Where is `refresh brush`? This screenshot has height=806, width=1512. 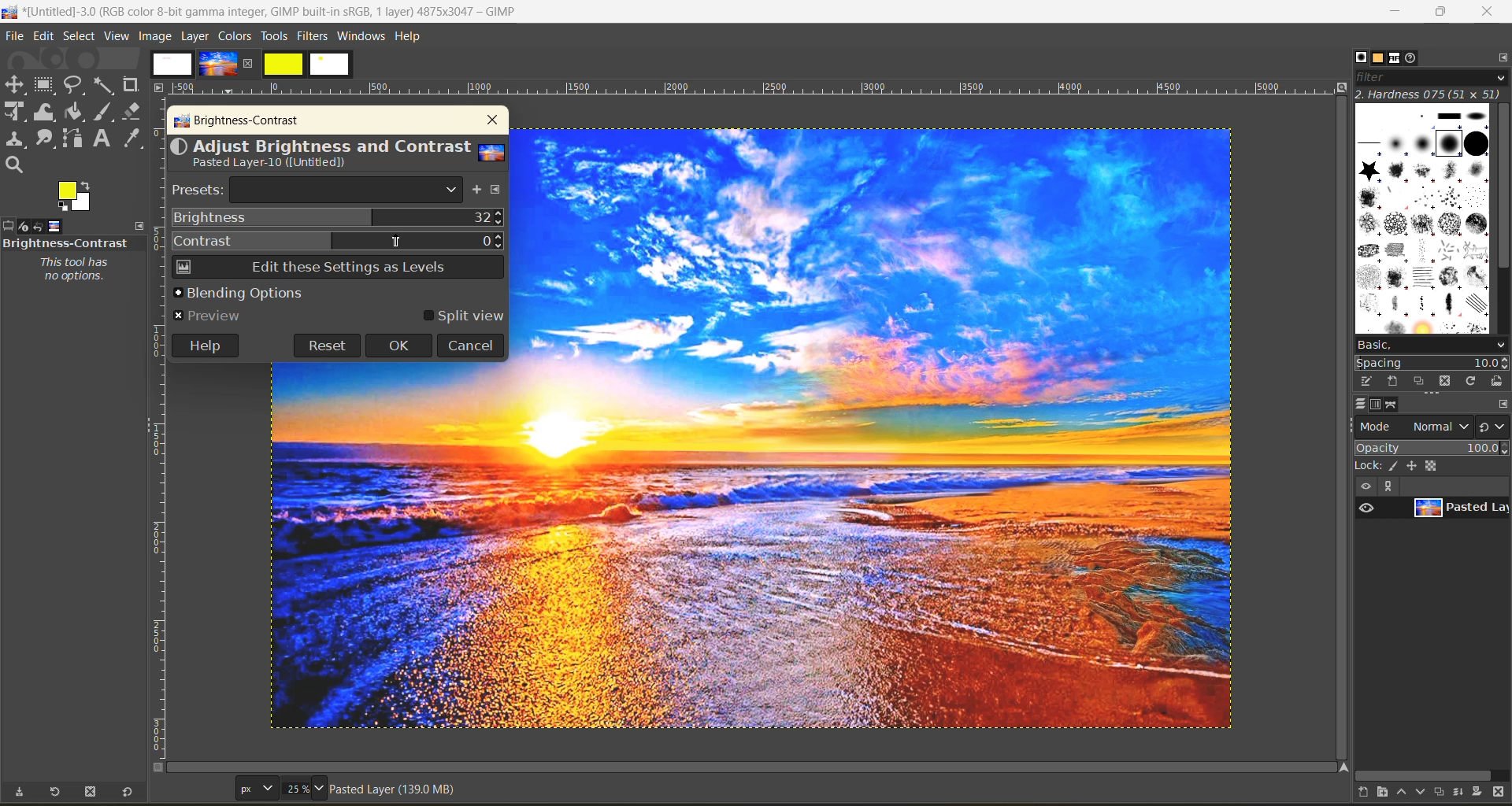 refresh brush is located at coordinates (1474, 384).